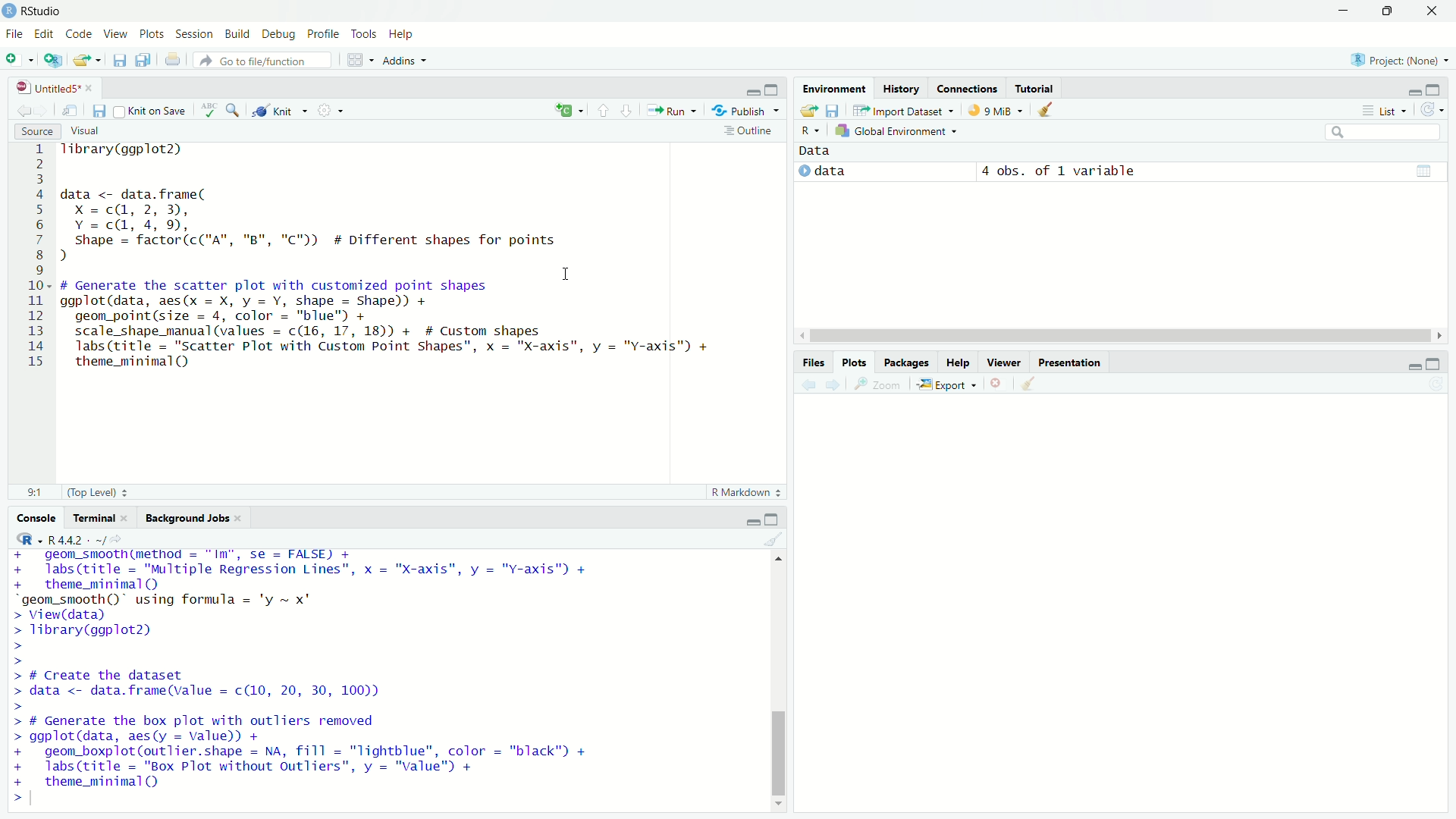 The image size is (1456, 819). I want to click on data, so click(830, 171).